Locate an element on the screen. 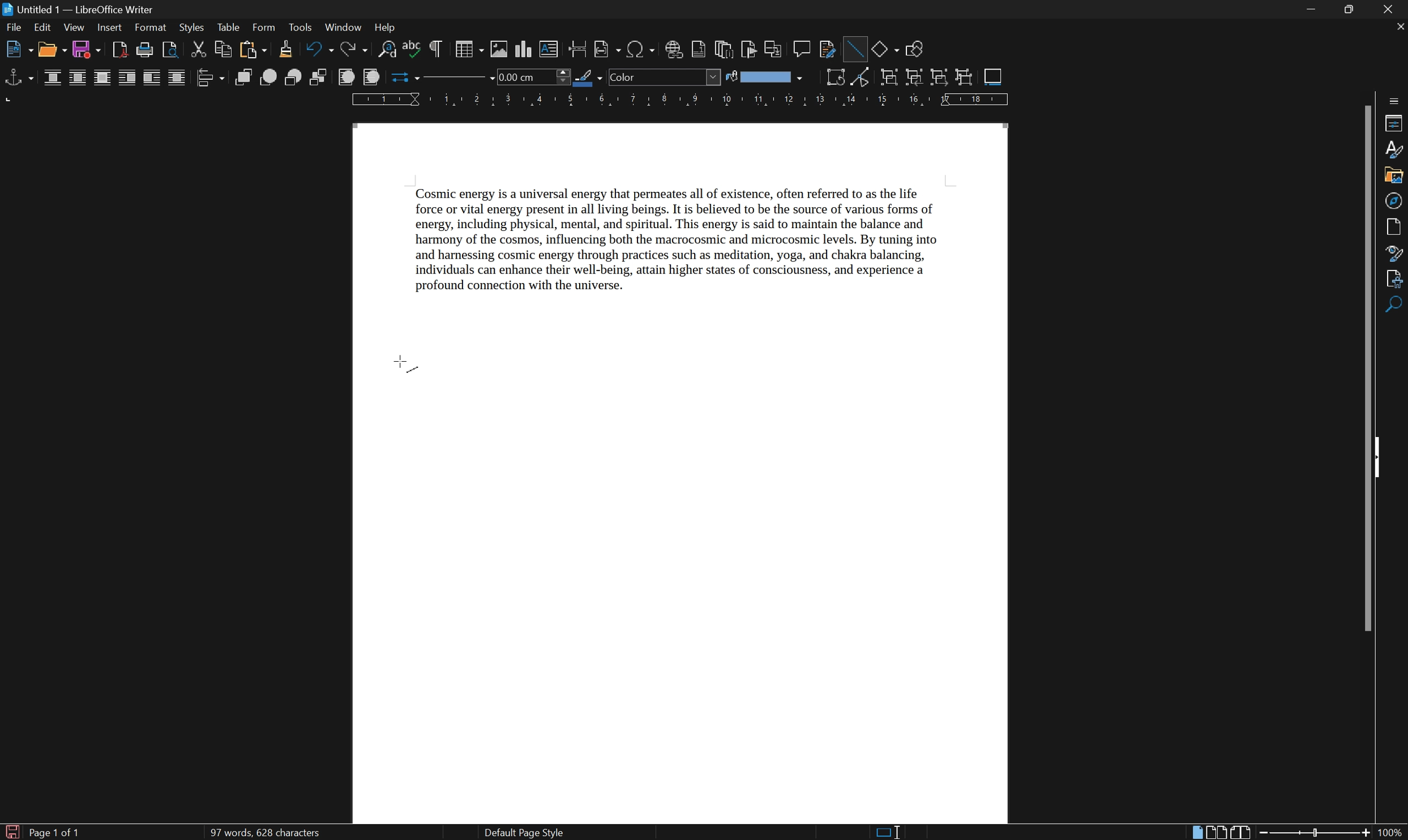 The height and width of the screenshot is (840, 1408). to foreground is located at coordinates (347, 76).